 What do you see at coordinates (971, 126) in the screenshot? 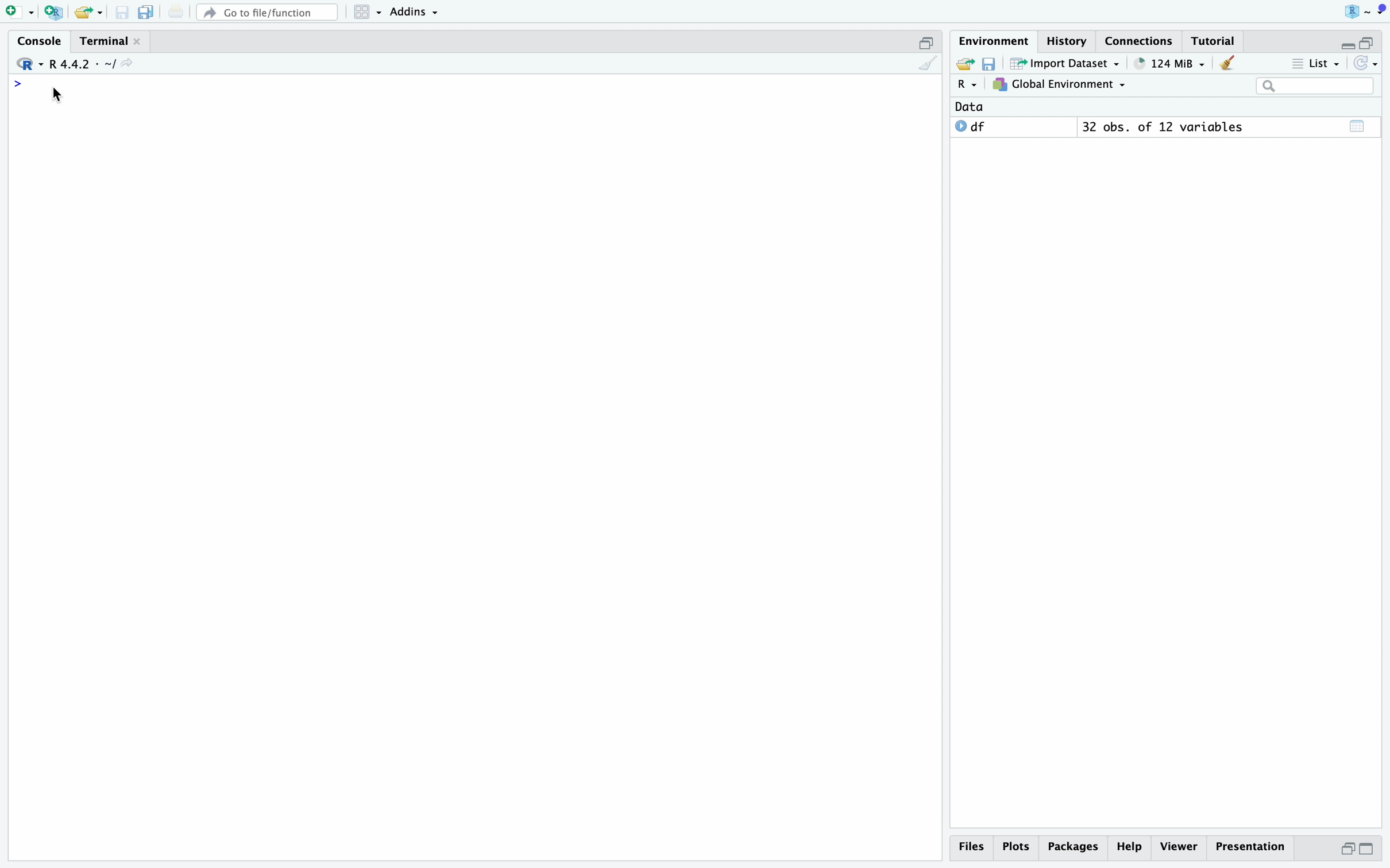
I see `df` at bounding box center [971, 126].